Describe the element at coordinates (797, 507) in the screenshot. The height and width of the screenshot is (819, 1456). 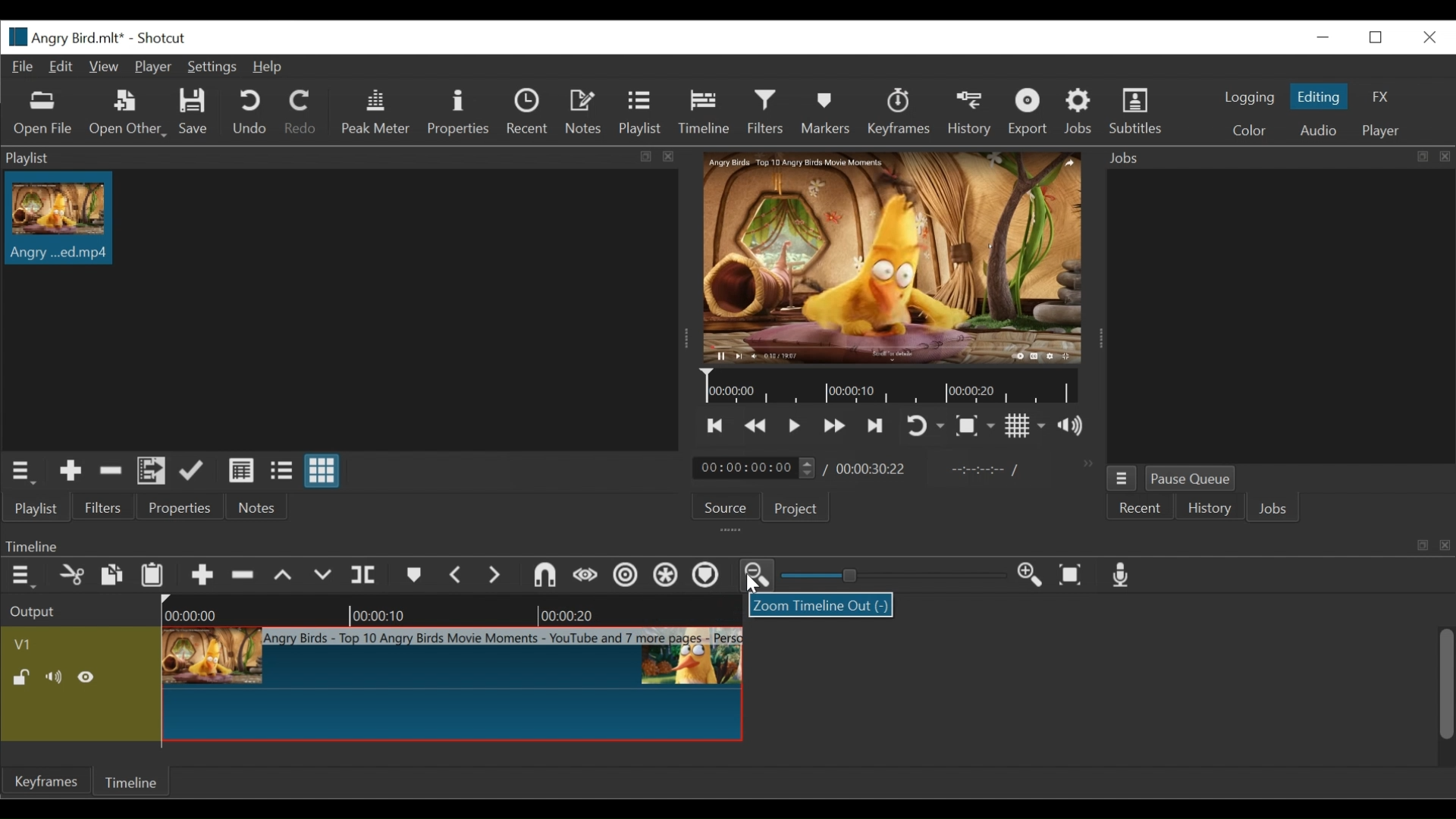
I see `Projects` at that location.